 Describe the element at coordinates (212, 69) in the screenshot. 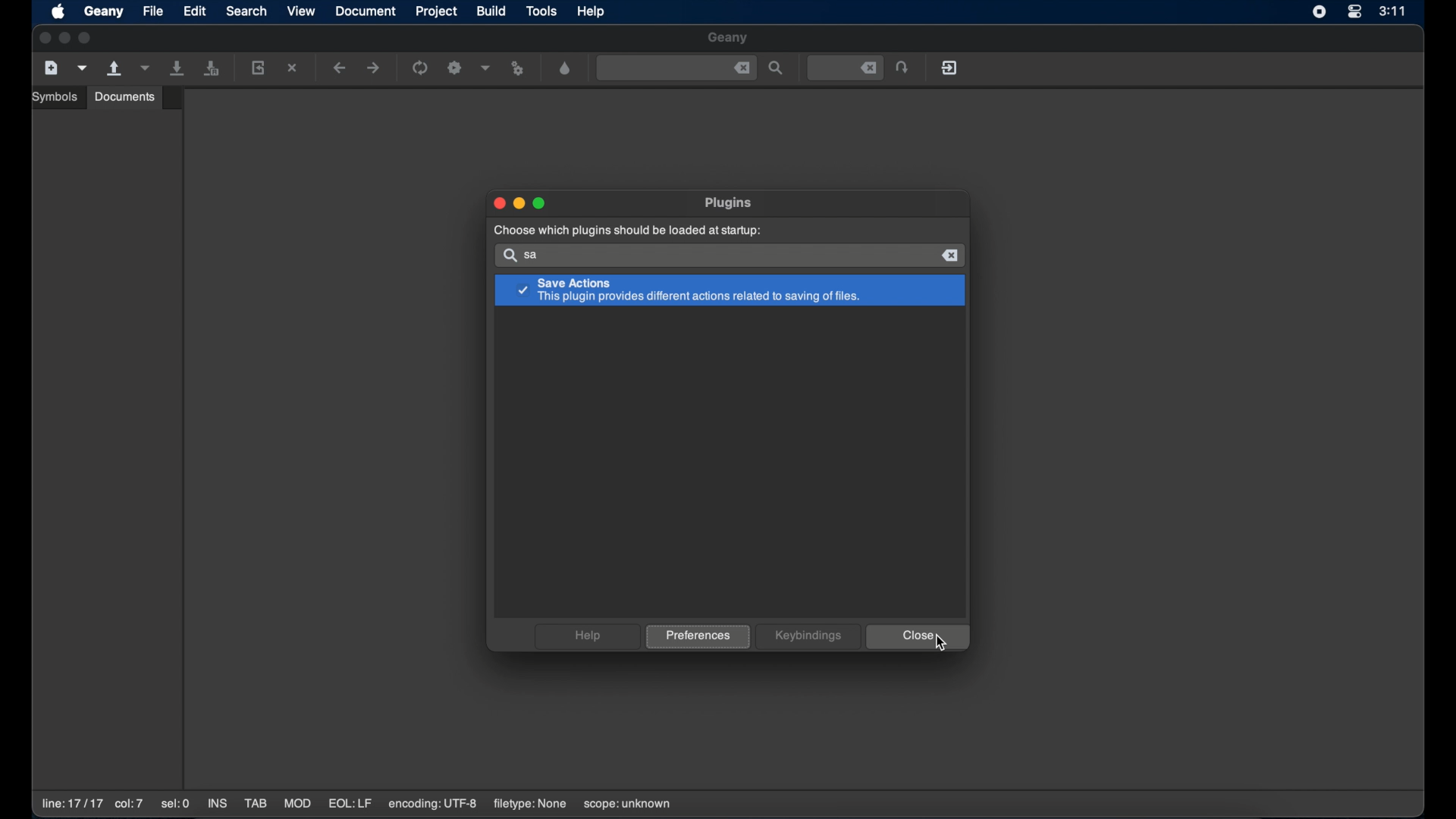

I see `save all open files` at that location.